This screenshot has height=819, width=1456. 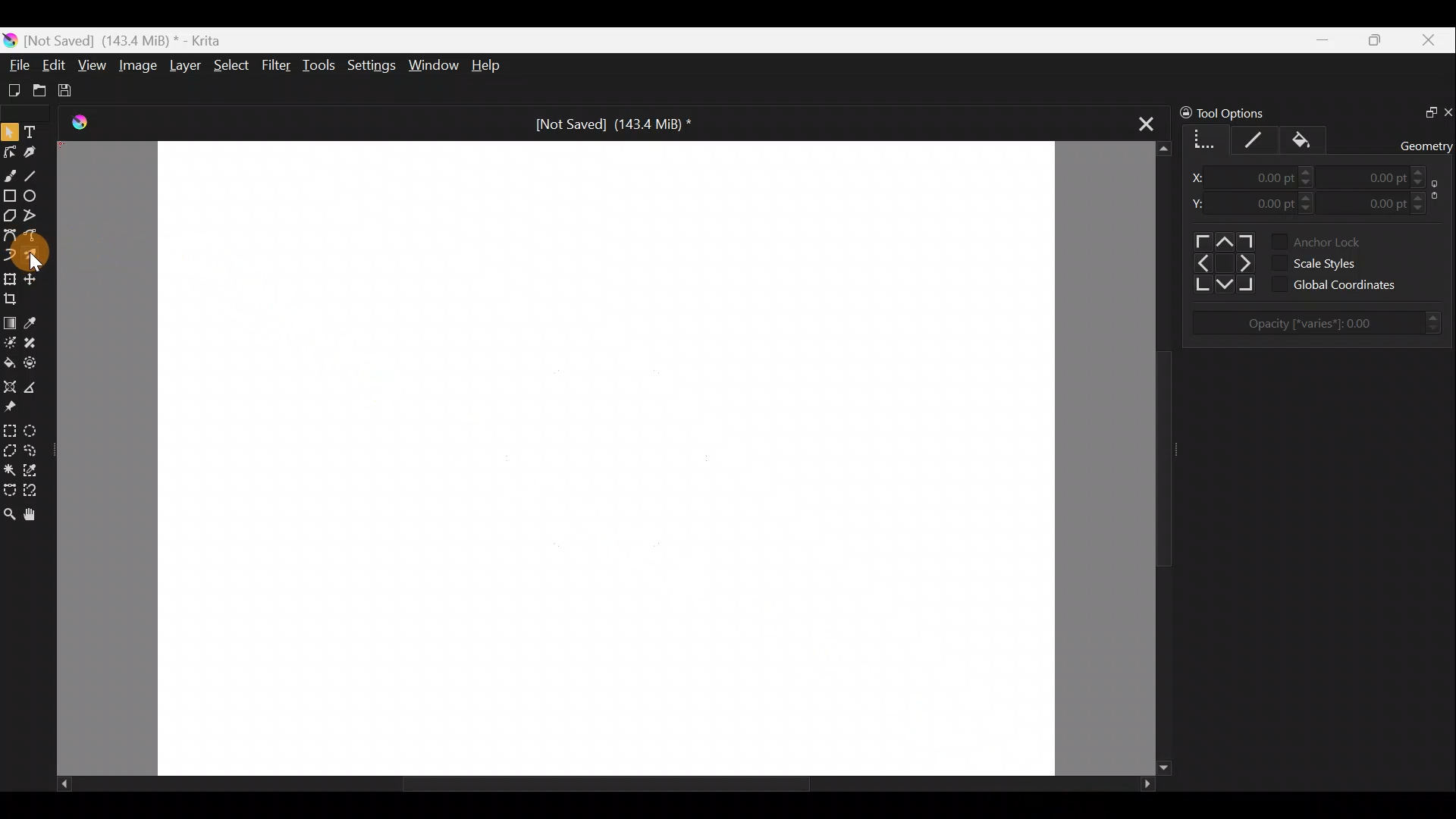 What do you see at coordinates (1429, 183) in the screenshot?
I see `Decrease` at bounding box center [1429, 183].